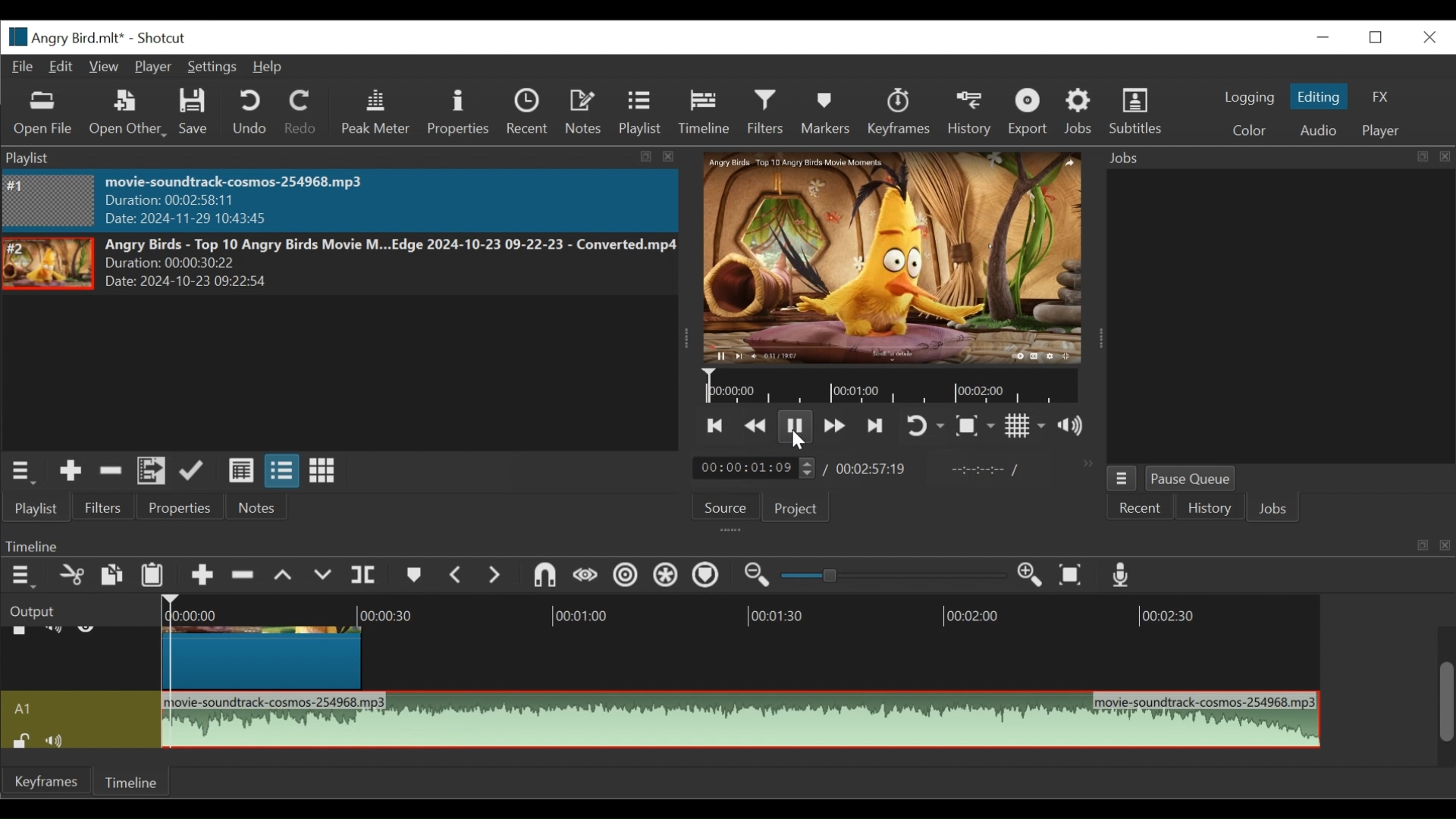 The image size is (1456, 819). I want to click on Toggle on , so click(927, 425).